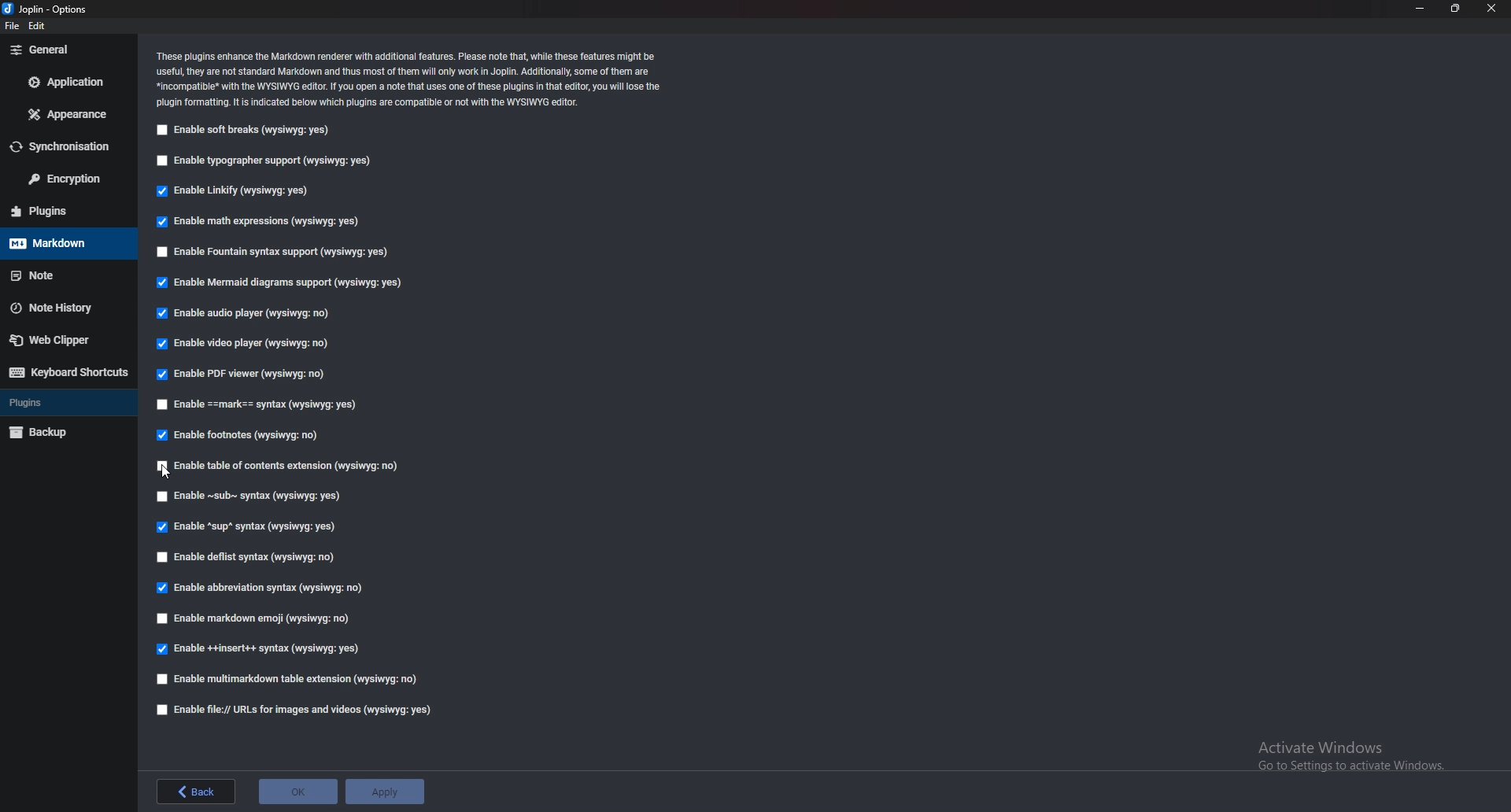 The height and width of the screenshot is (812, 1511). I want to click on Enable file urls for image and videos, so click(306, 709).